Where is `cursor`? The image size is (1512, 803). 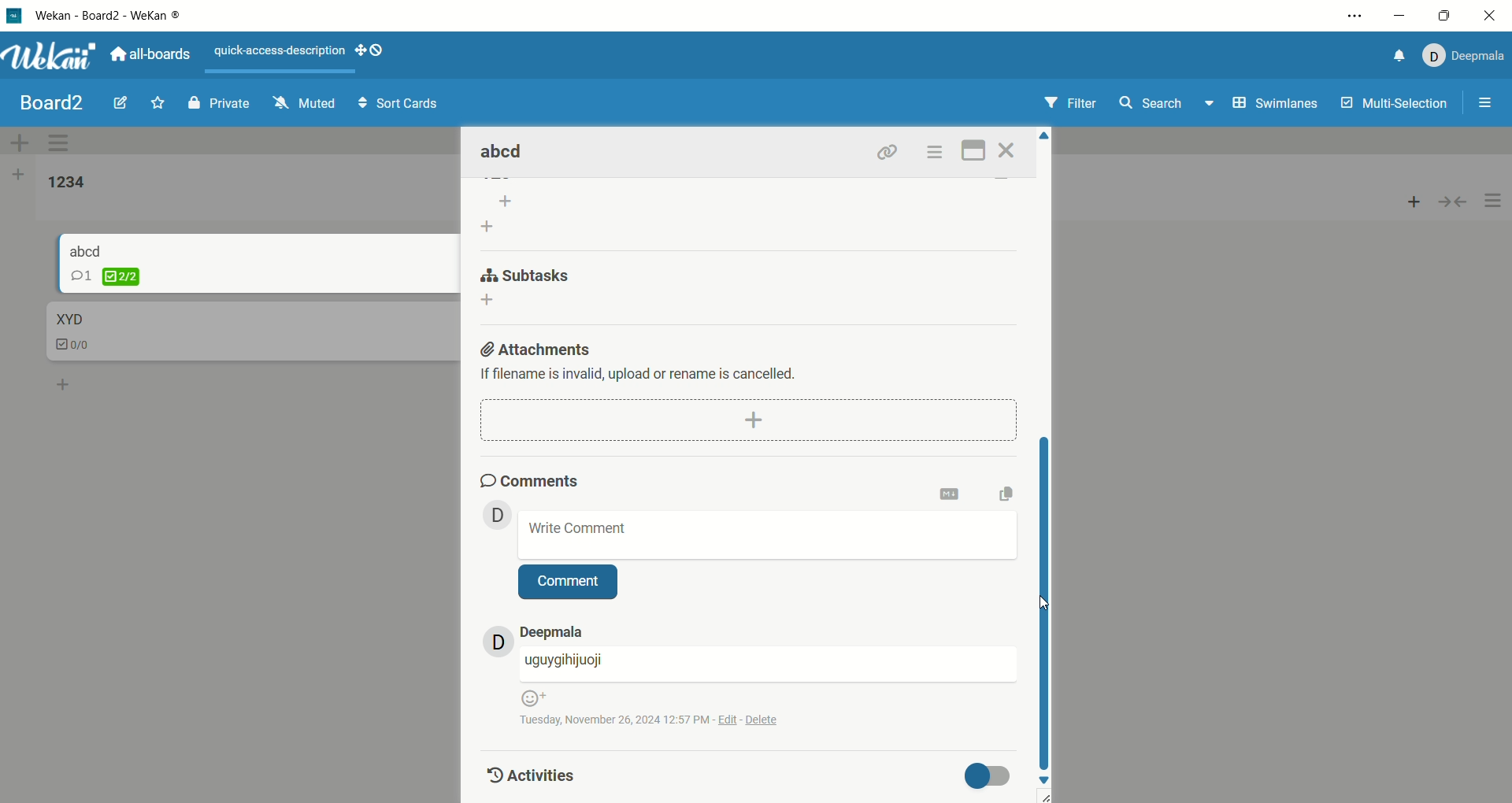 cursor is located at coordinates (1039, 605).